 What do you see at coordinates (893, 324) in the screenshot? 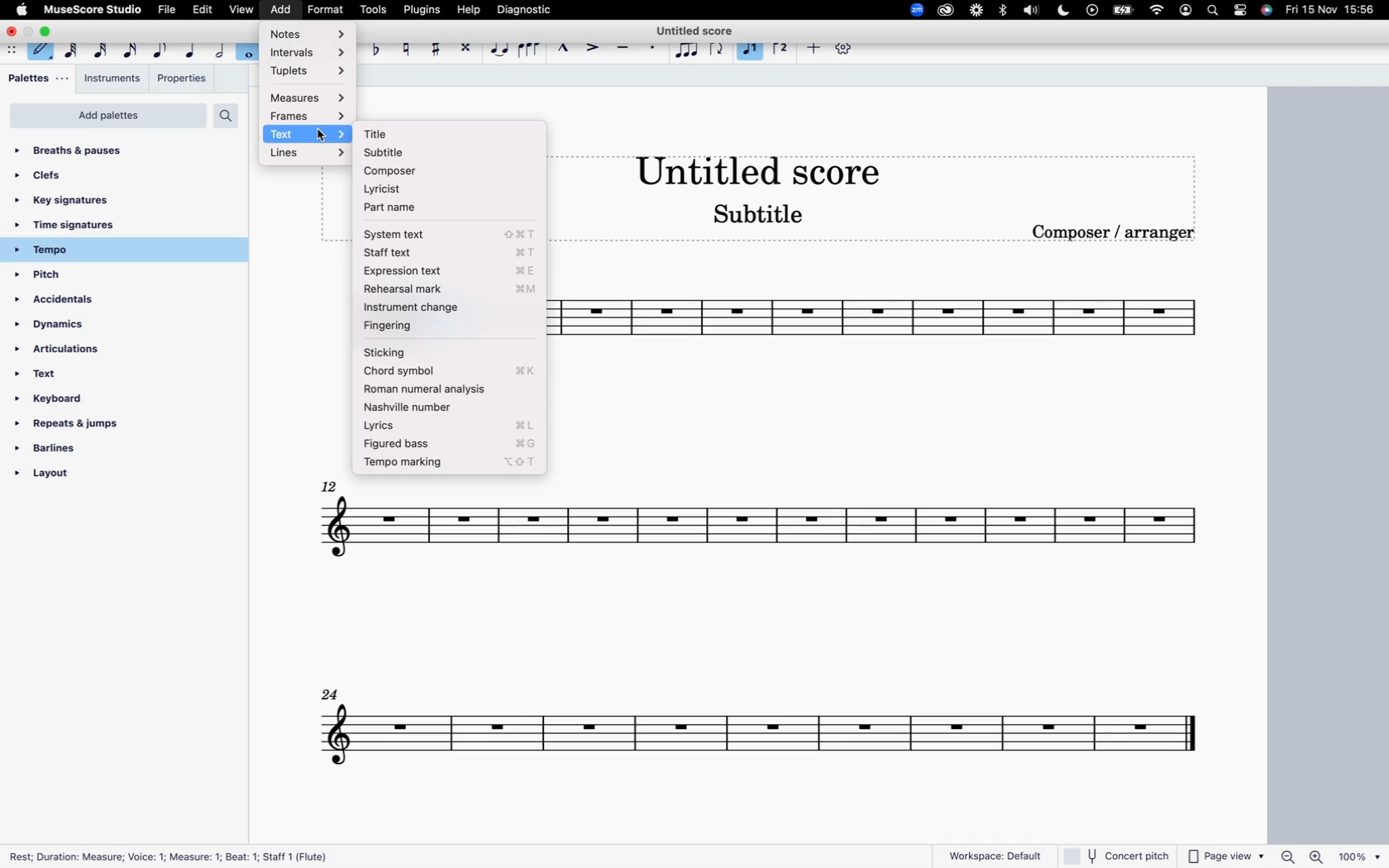
I see `score` at bounding box center [893, 324].